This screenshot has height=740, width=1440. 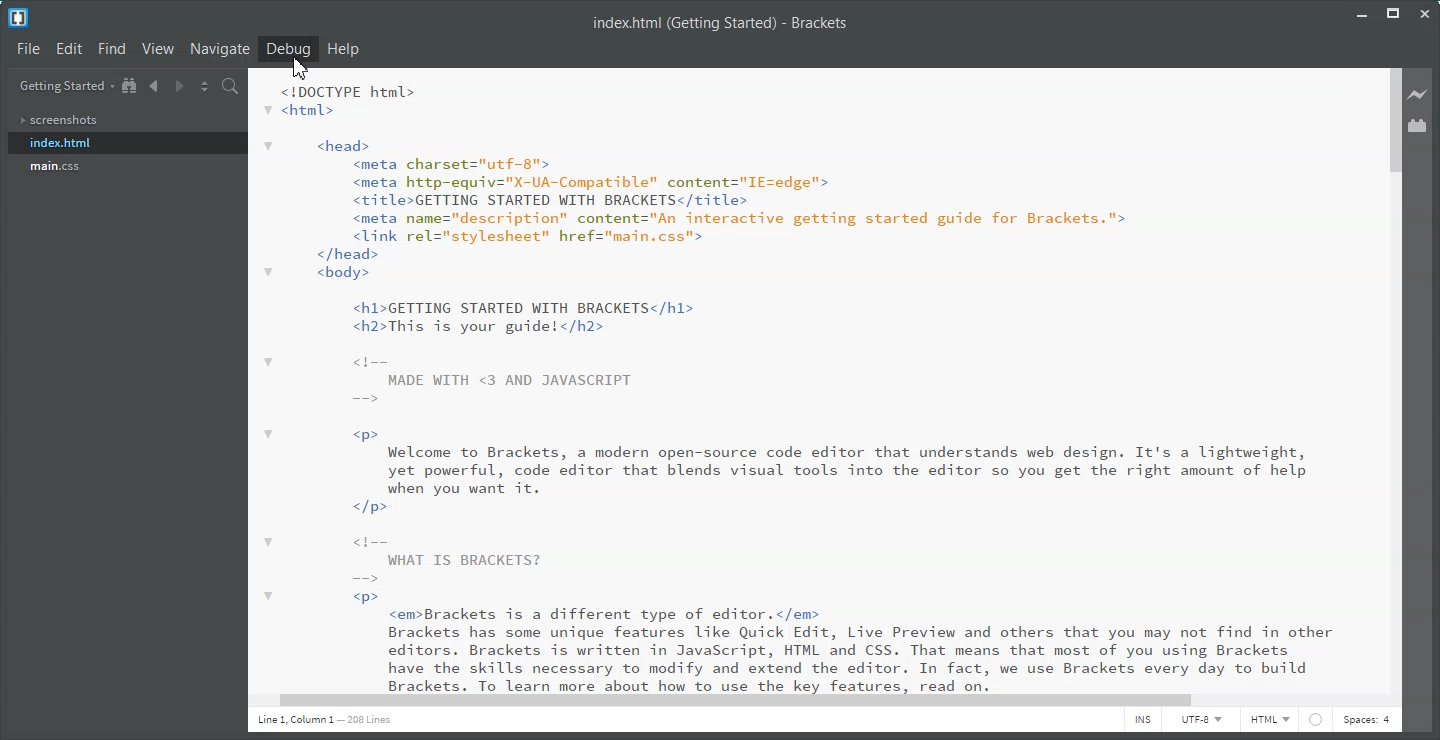 What do you see at coordinates (127, 121) in the screenshot?
I see `Screenshots` at bounding box center [127, 121].